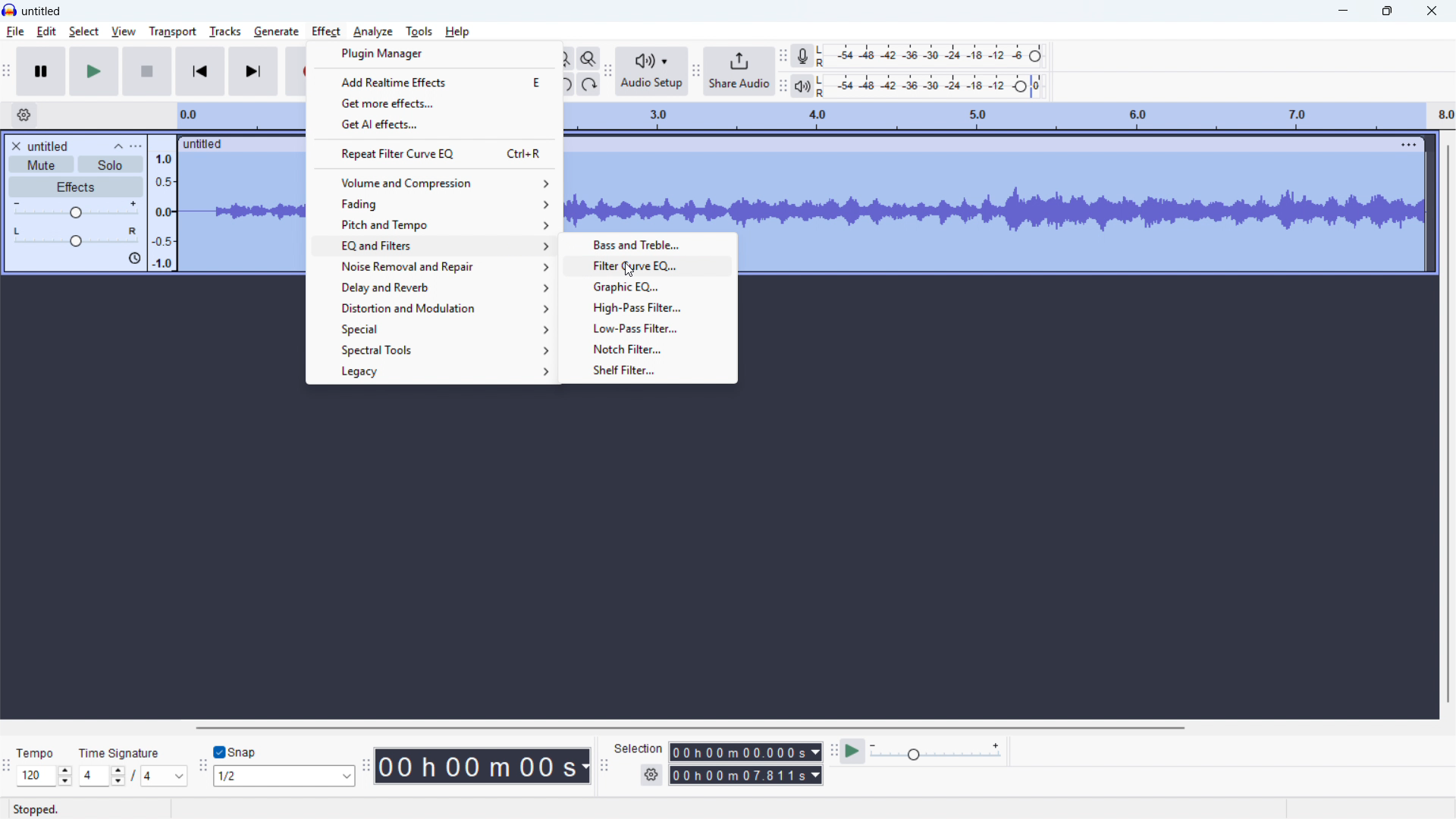  Describe the element at coordinates (646, 244) in the screenshot. I see `Bass and treble` at that location.